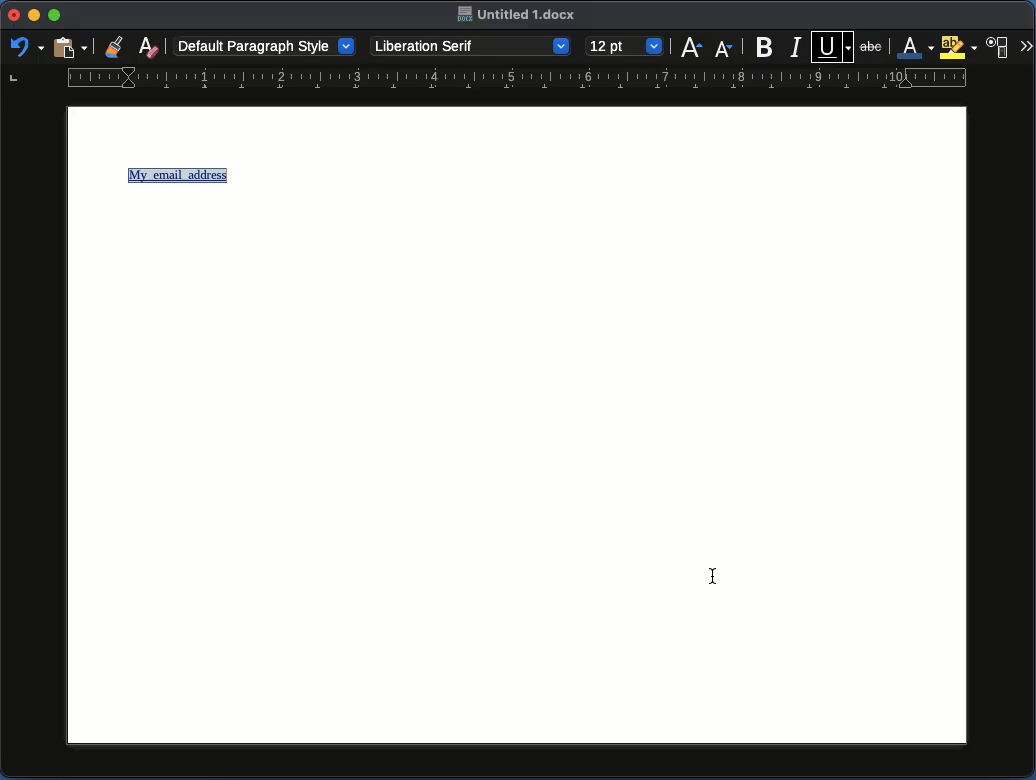 This screenshot has width=1036, height=780. I want to click on Maximize, so click(54, 15).